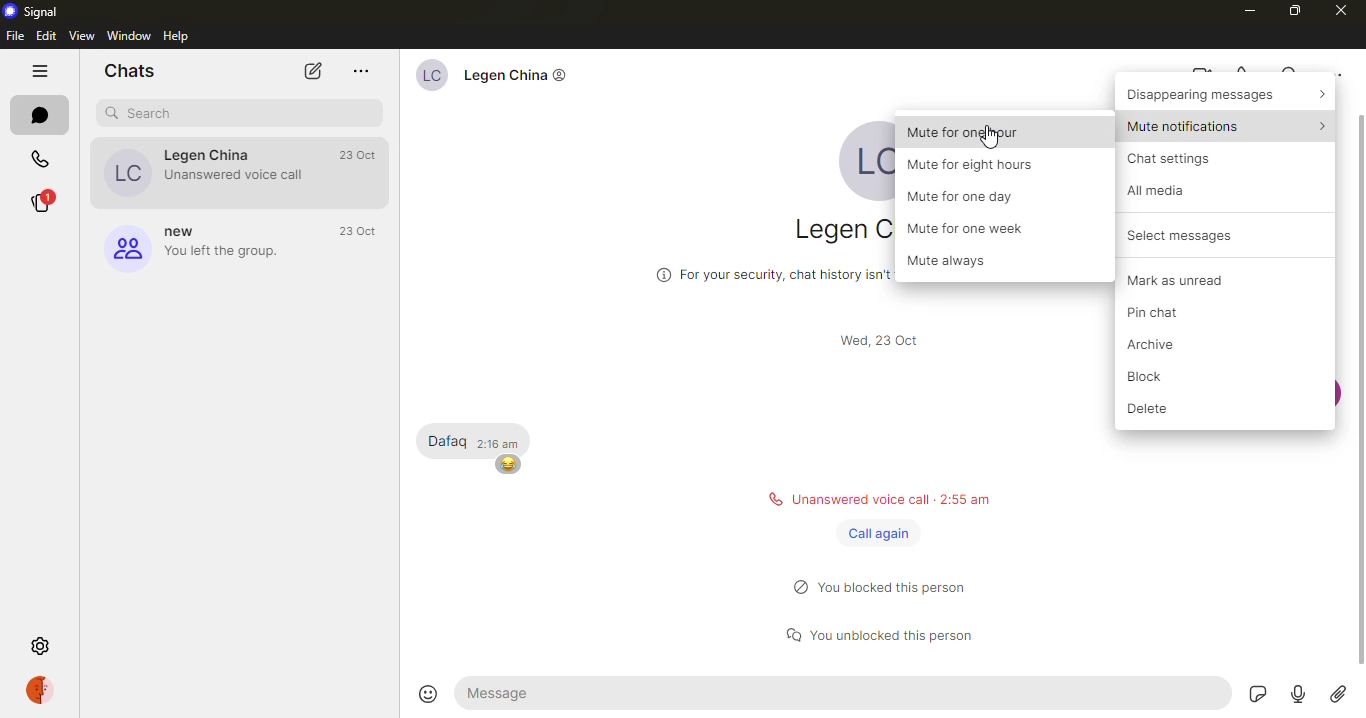 This screenshot has height=718, width=1366. I want to click on new chat, so click(309, 72).